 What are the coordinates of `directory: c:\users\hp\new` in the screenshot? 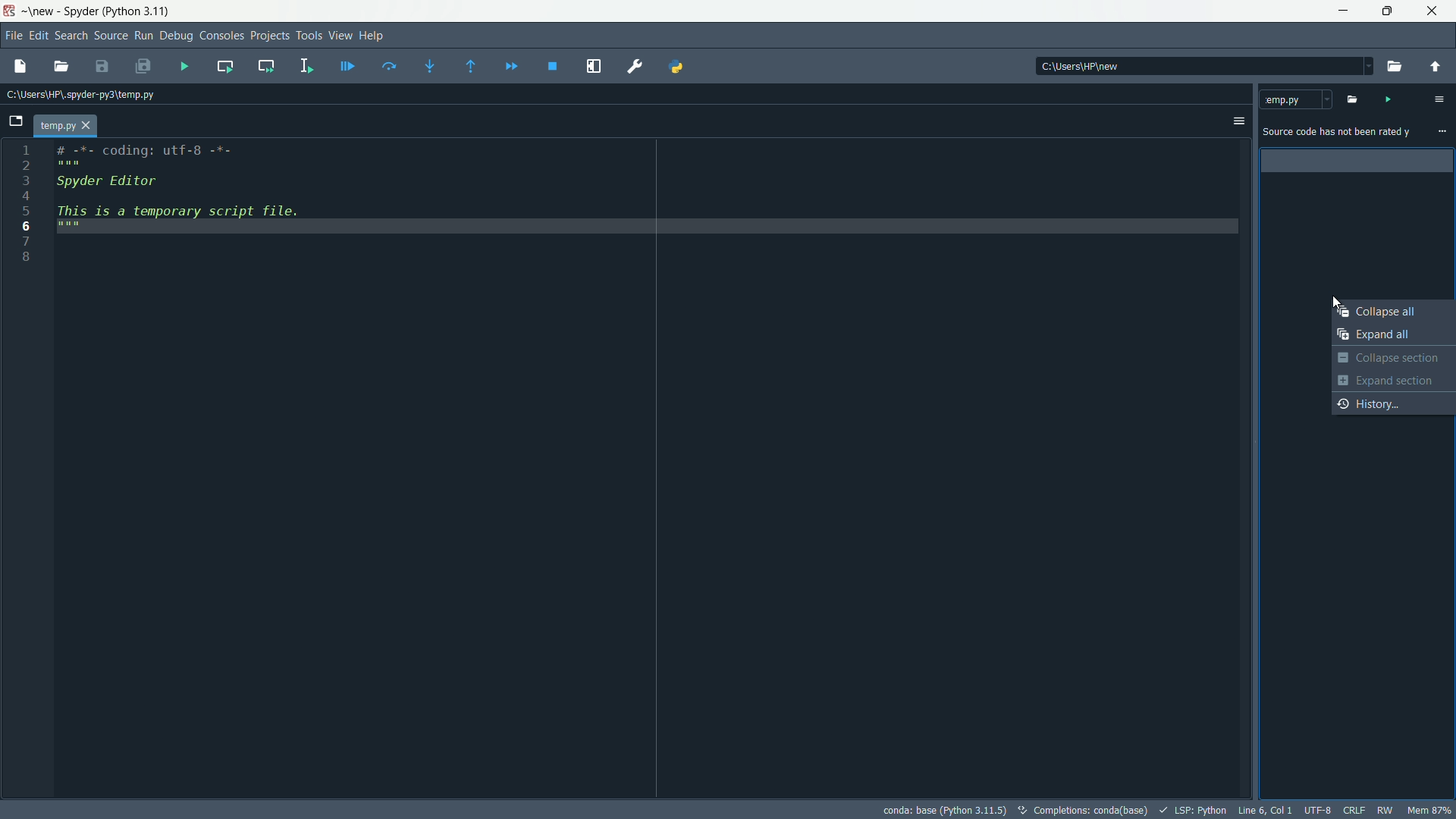 It's located at (1082, 67).